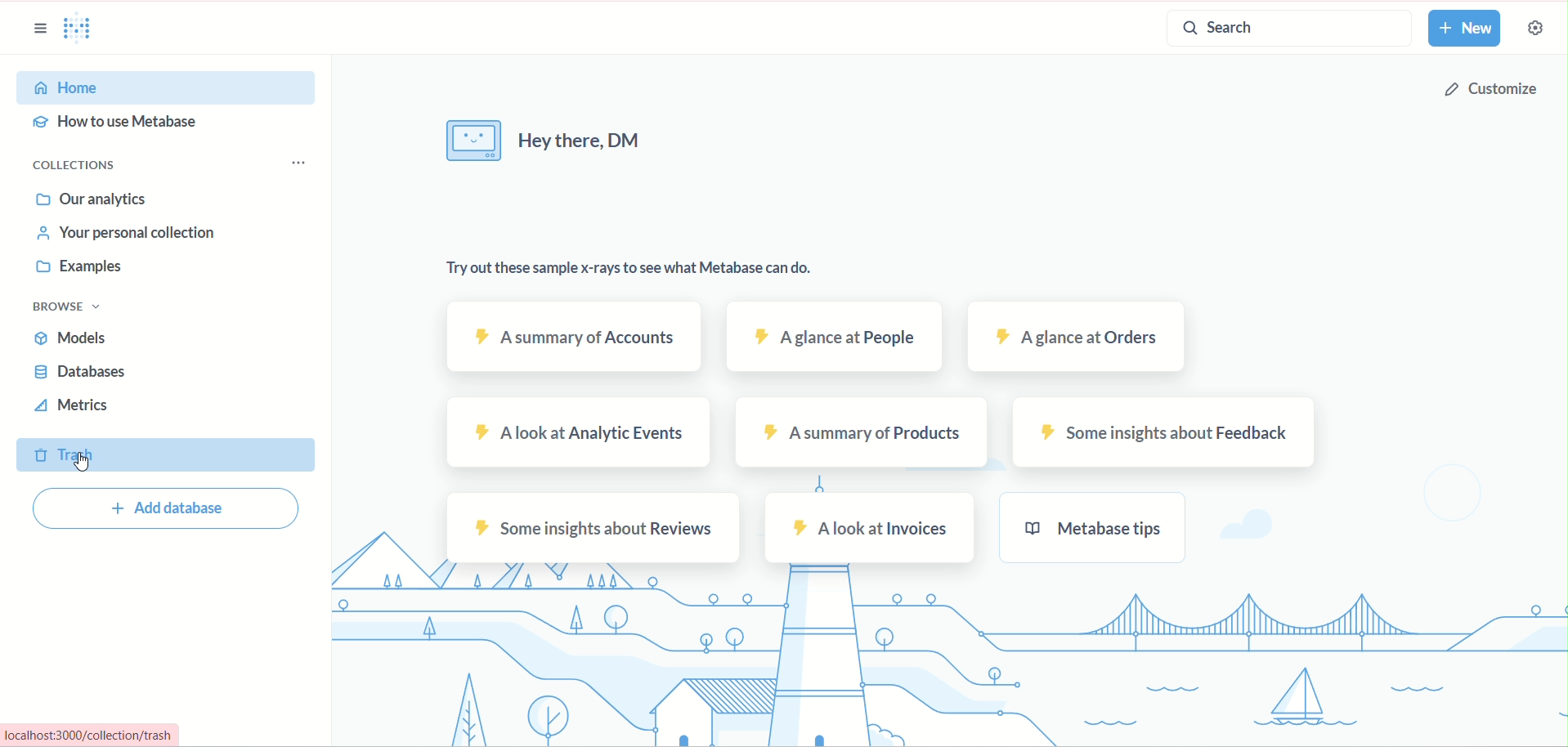 This screenshot has width=1568, height=747. Describe the element at coordinates (165, 88) in the screenshot. I see `home` at that location.